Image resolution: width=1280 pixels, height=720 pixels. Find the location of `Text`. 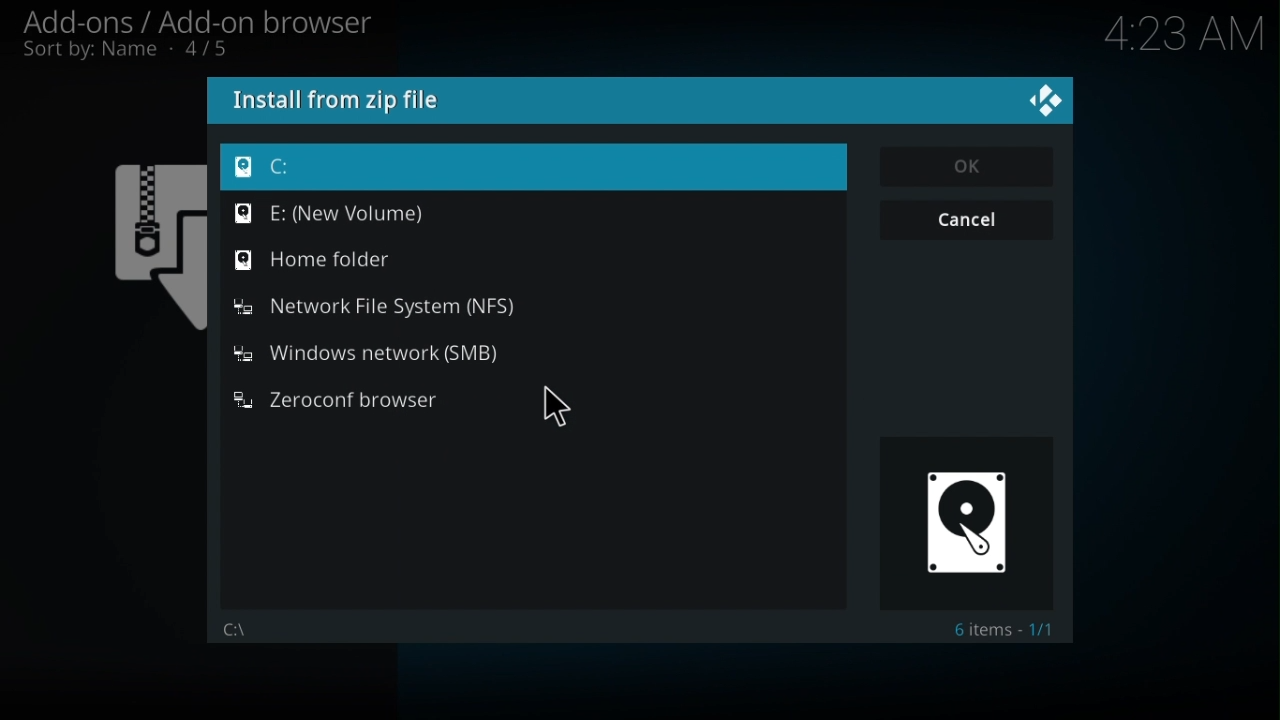

Text is located at coordinates (993, 632).